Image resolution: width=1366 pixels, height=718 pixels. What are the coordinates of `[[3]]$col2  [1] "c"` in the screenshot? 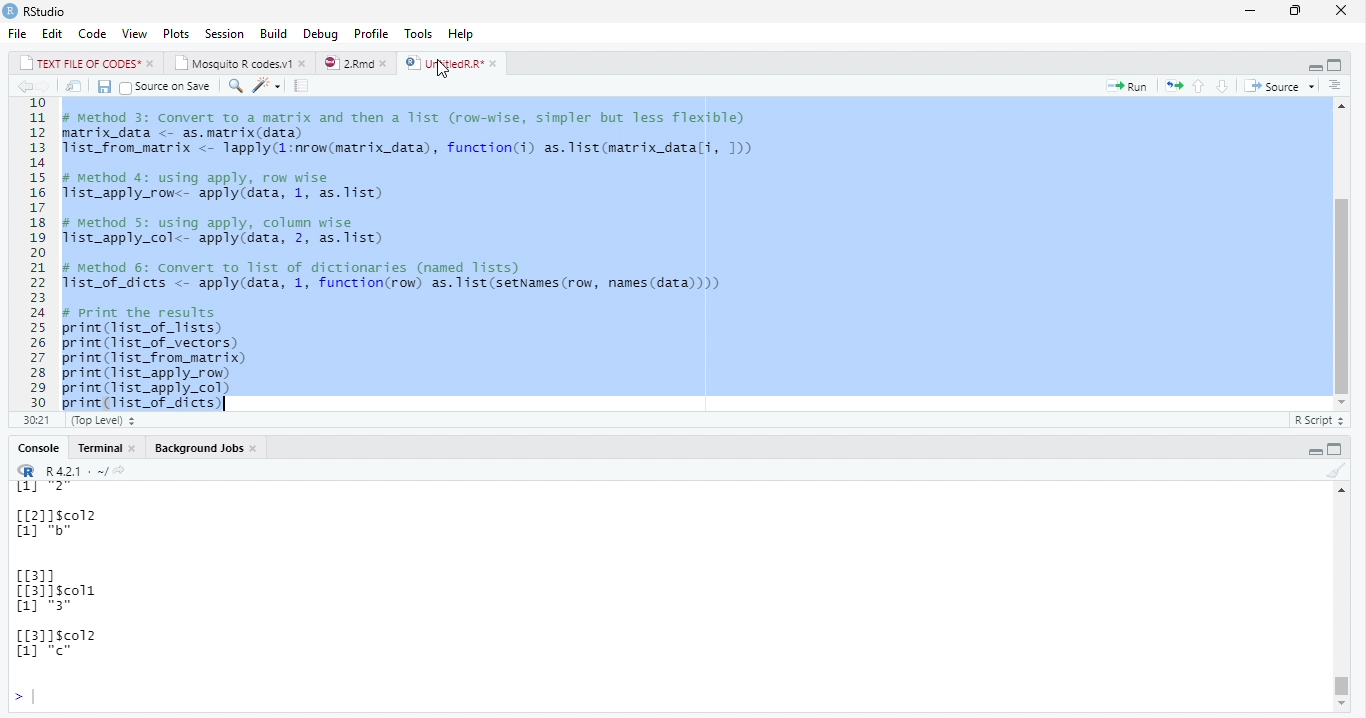 It's located at (67, 644).